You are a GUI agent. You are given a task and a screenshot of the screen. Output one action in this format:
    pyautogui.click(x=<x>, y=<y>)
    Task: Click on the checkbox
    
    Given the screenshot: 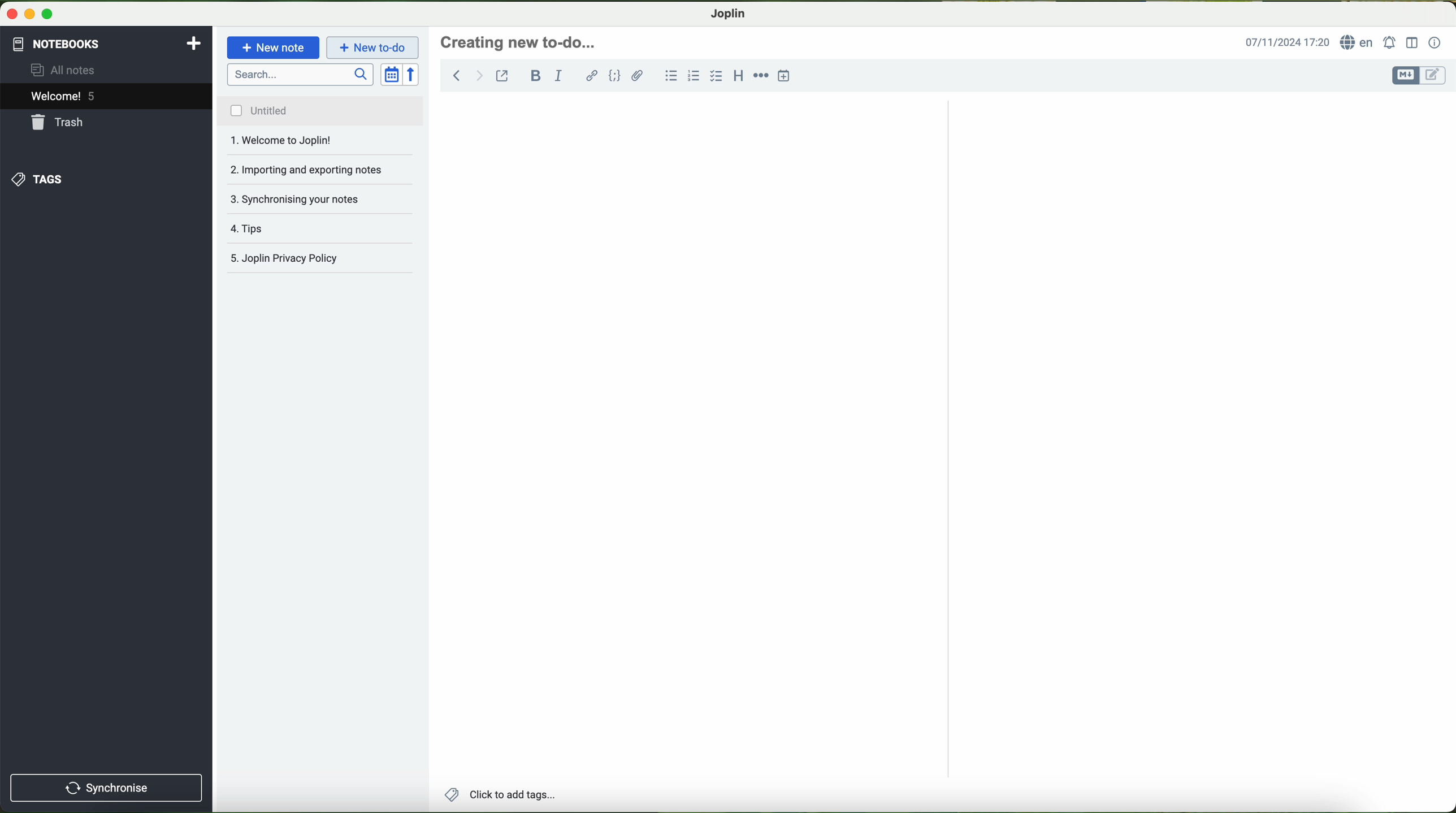 What is the action you would take?
    pyautogui.click(x=717, y=76)
    